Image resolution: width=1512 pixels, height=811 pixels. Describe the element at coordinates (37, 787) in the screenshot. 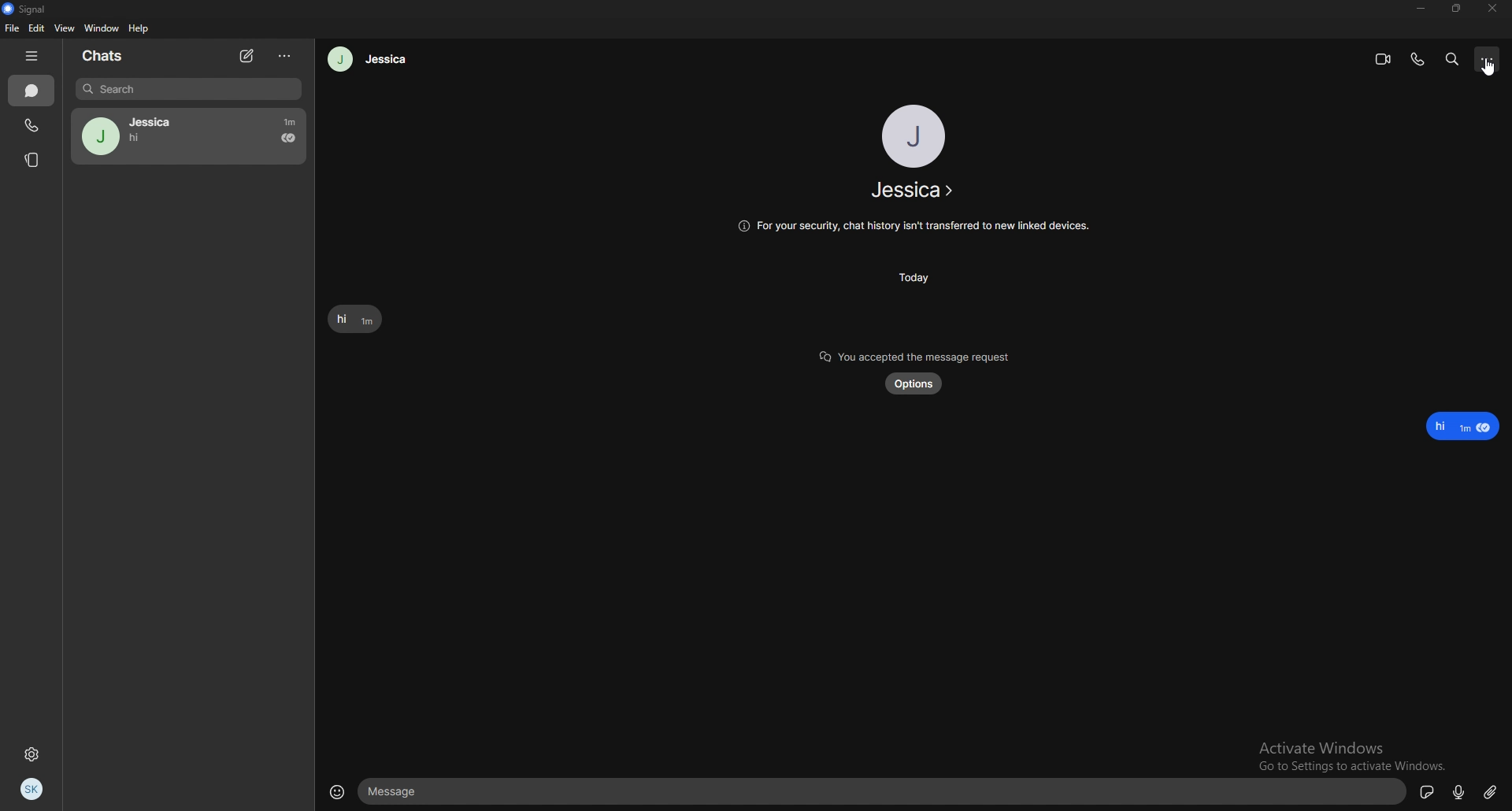

I see `Profile` at that location.